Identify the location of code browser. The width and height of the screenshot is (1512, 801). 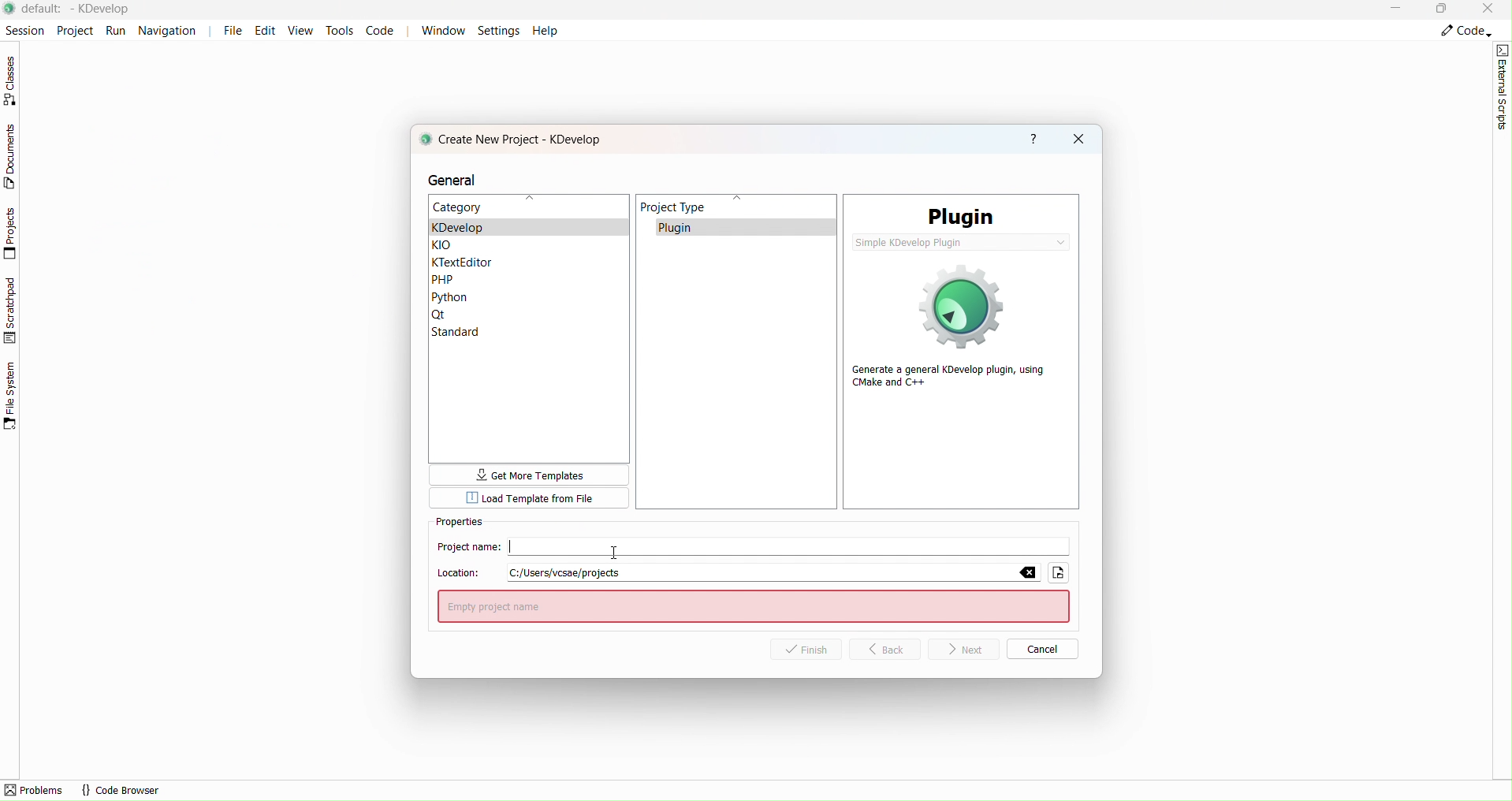
(121, 790).